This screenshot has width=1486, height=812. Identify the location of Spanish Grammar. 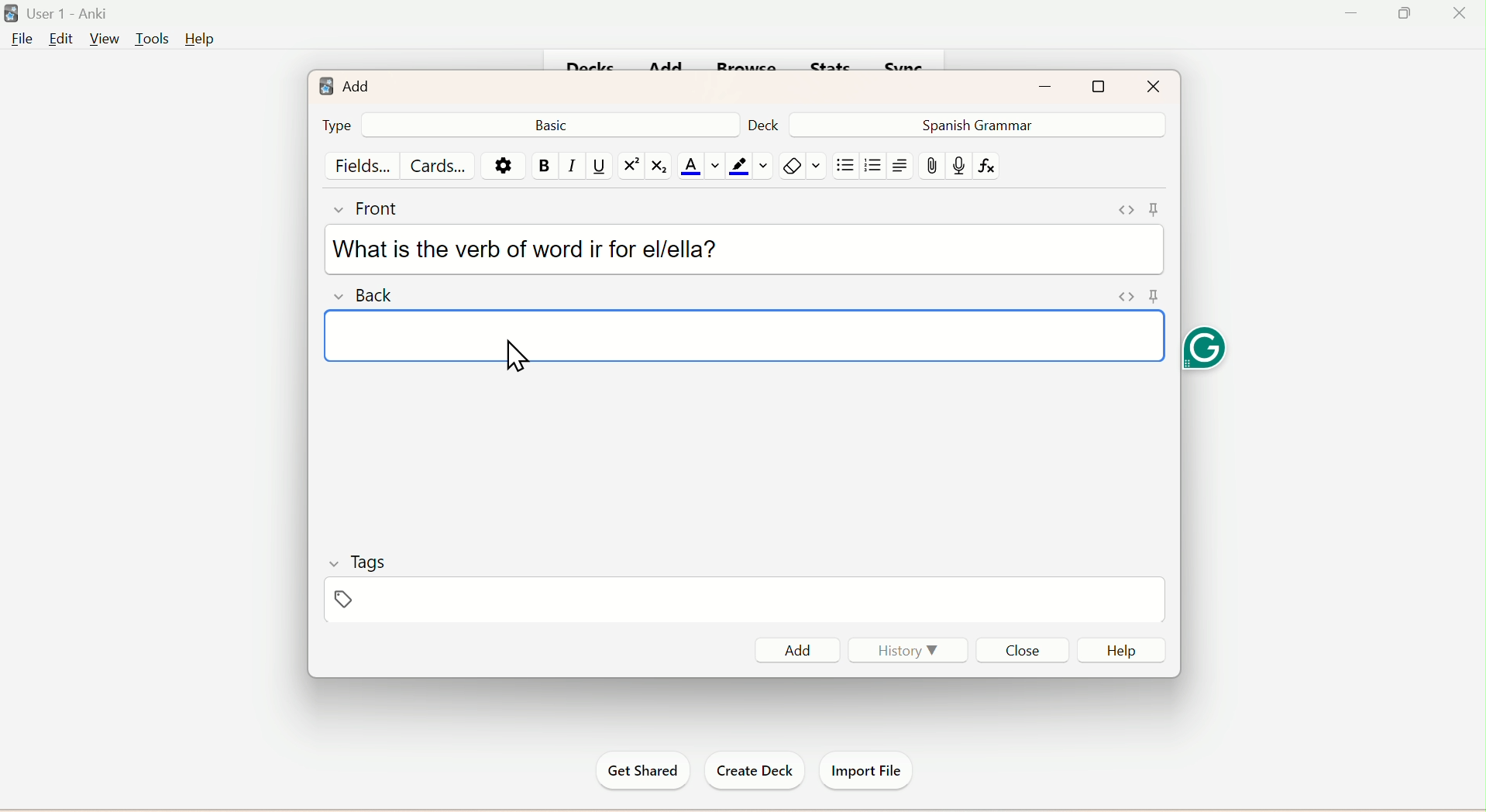
(973, 124).